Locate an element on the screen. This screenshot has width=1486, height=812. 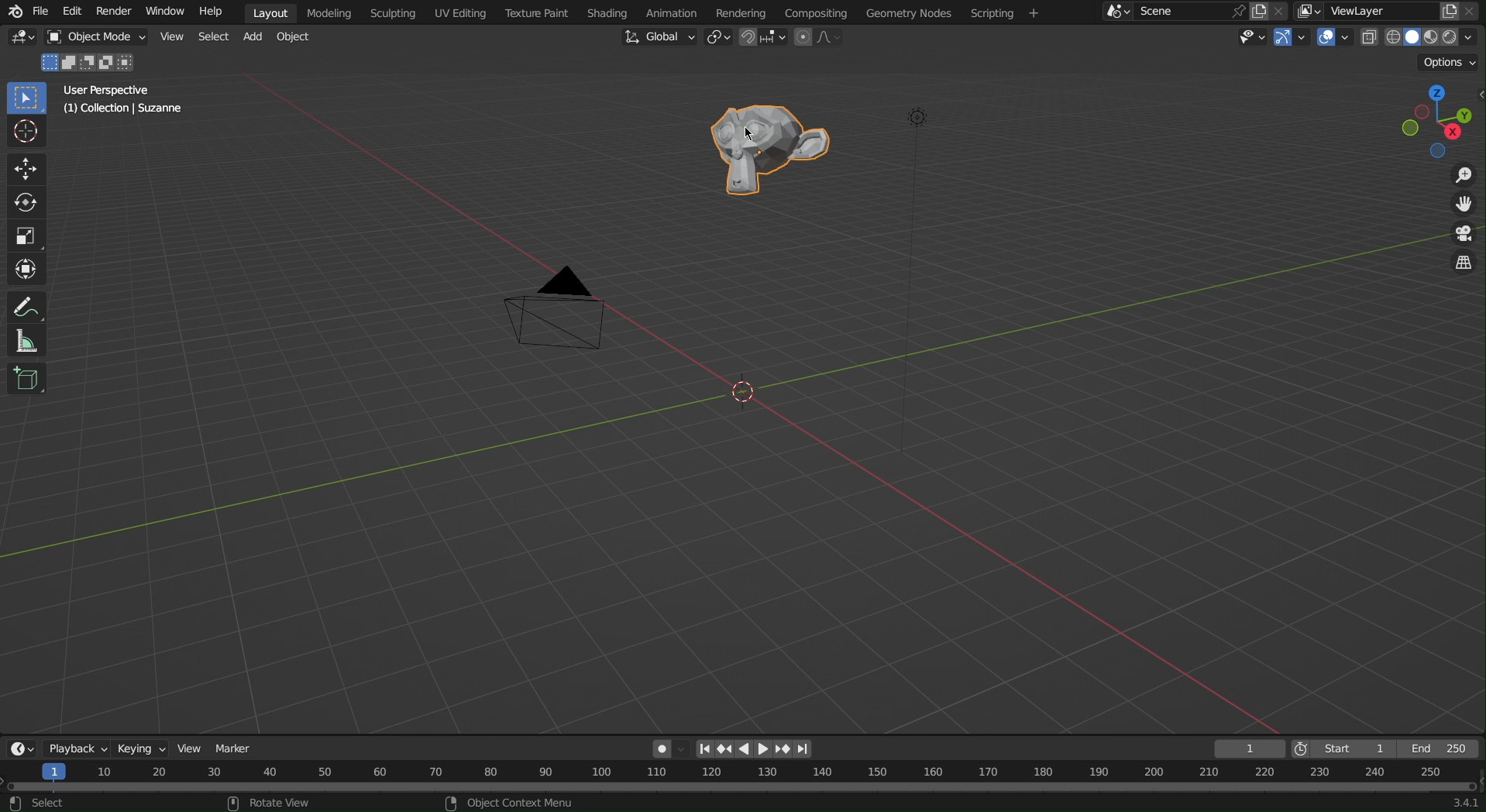
Transform is located at coordinates (24, 270).